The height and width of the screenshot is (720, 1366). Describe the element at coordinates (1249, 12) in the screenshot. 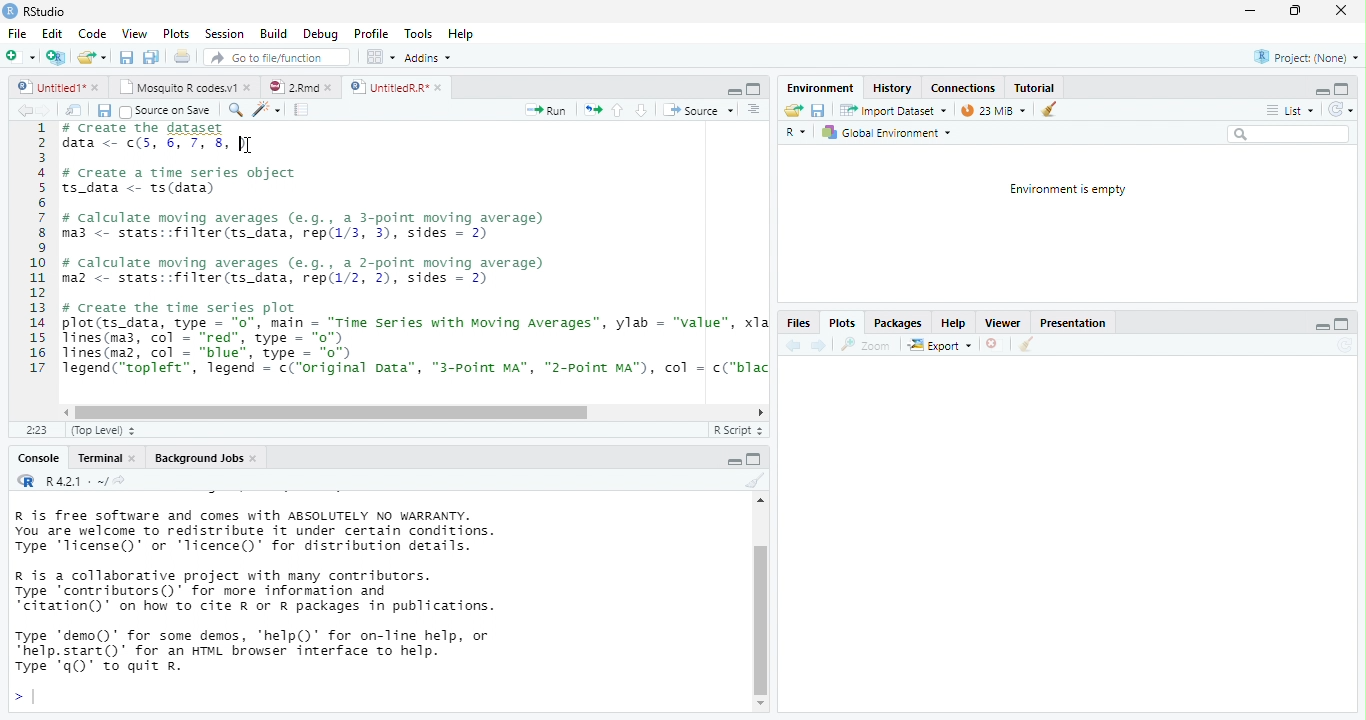

I see `minimize` at that location.